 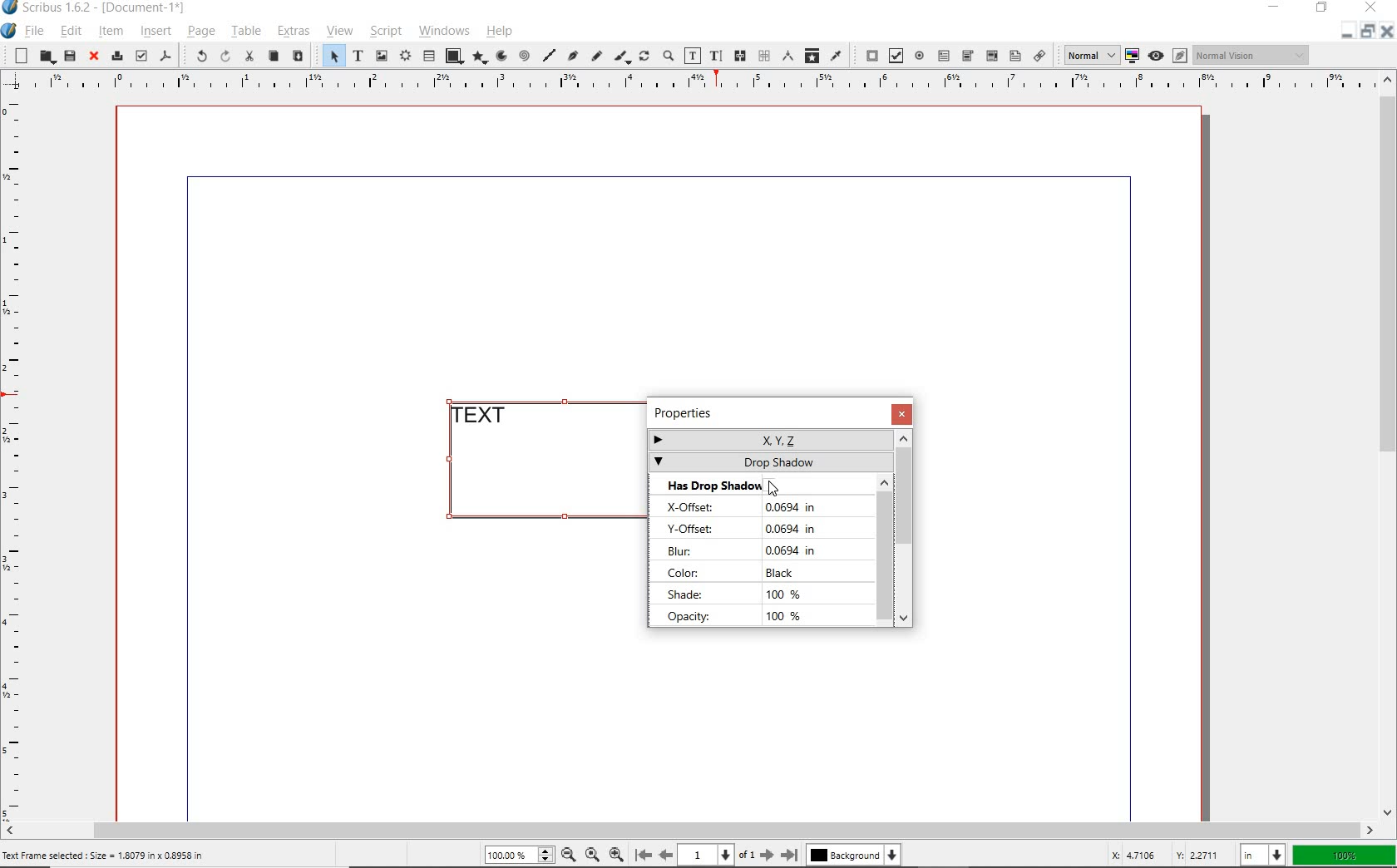 I want to click on link text frames, so click(x=741, y=56).